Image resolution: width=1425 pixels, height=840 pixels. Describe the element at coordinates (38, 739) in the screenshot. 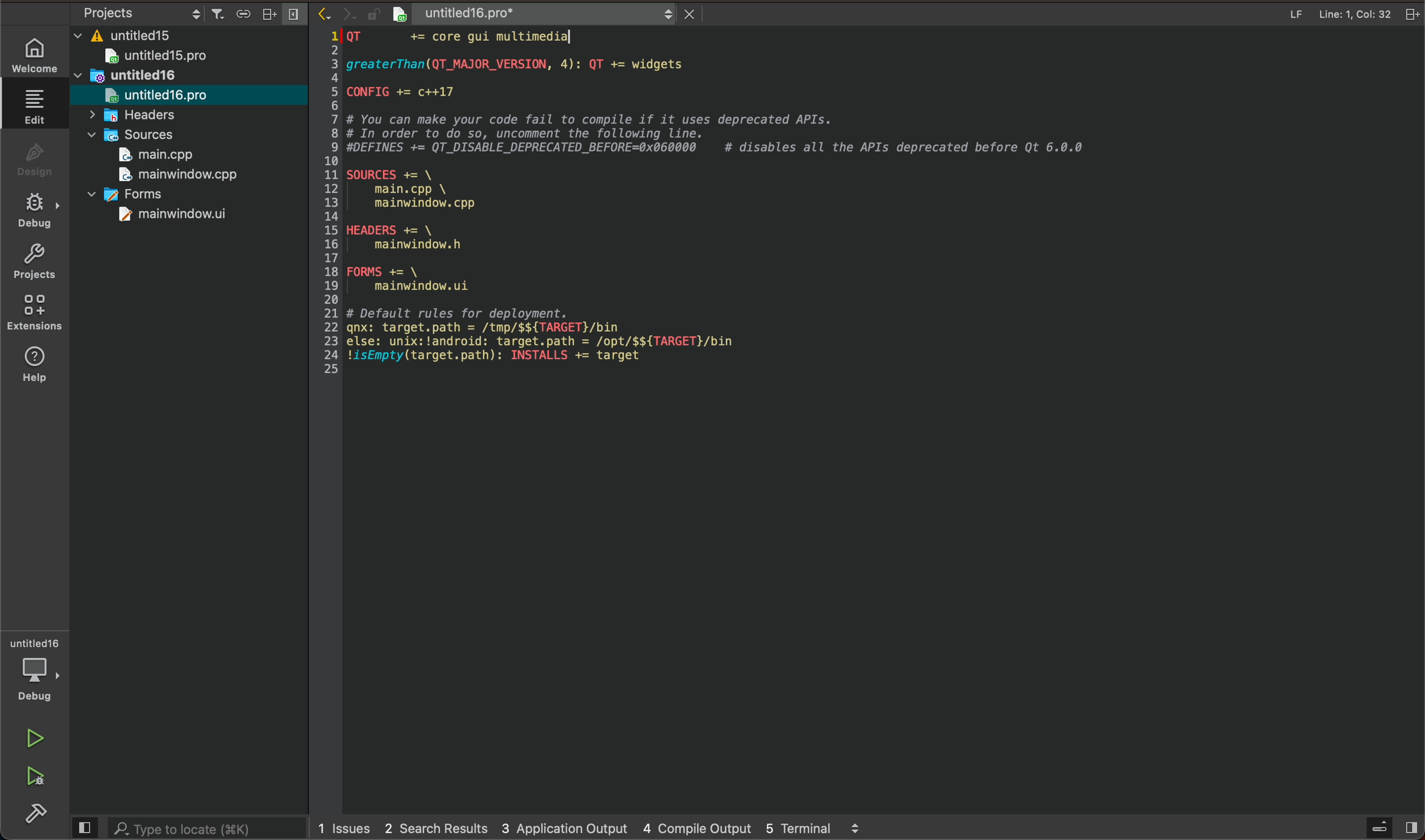

I see `run ` at that location.